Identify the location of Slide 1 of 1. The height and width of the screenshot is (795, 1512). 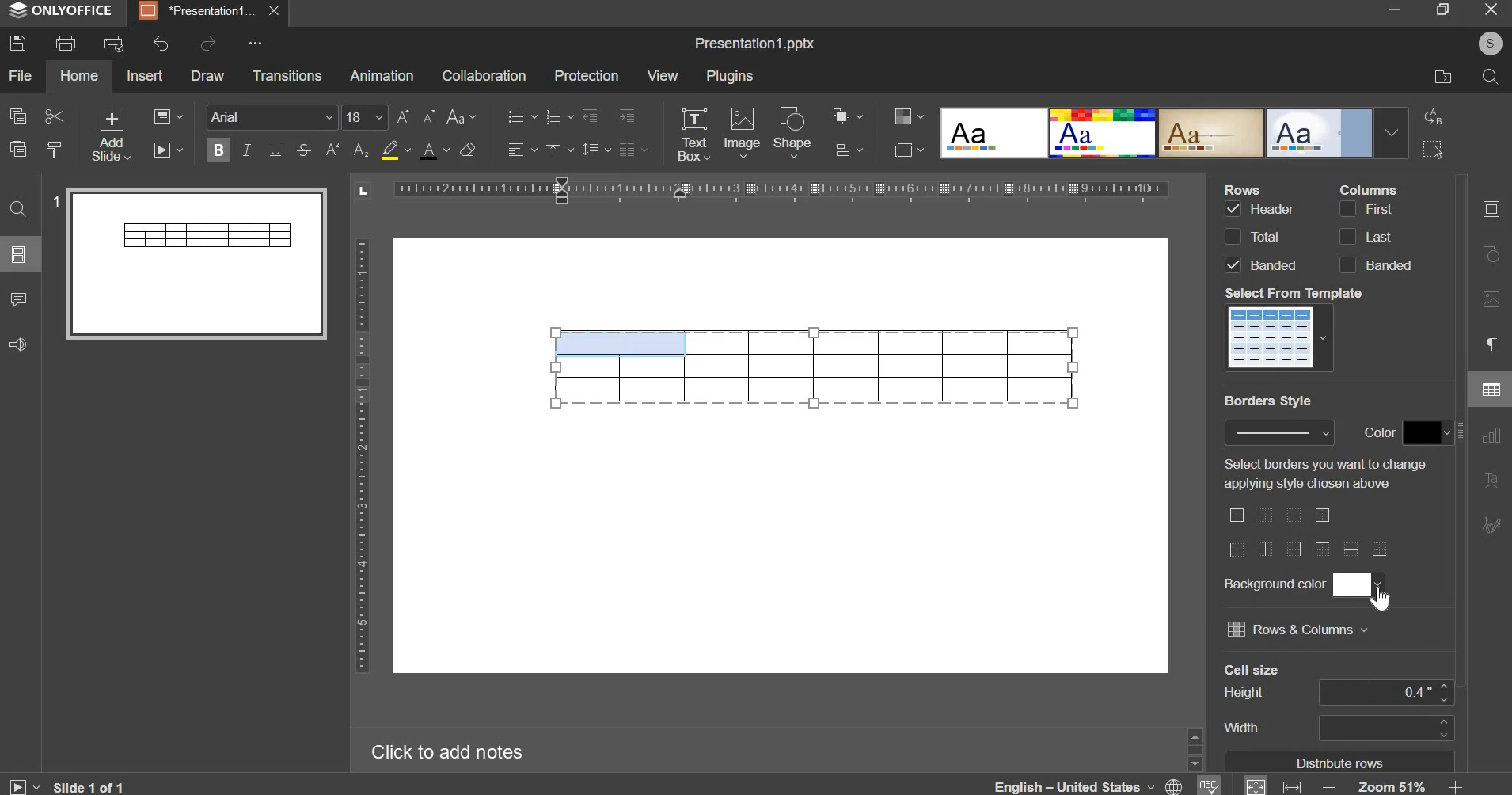
(66, 786).